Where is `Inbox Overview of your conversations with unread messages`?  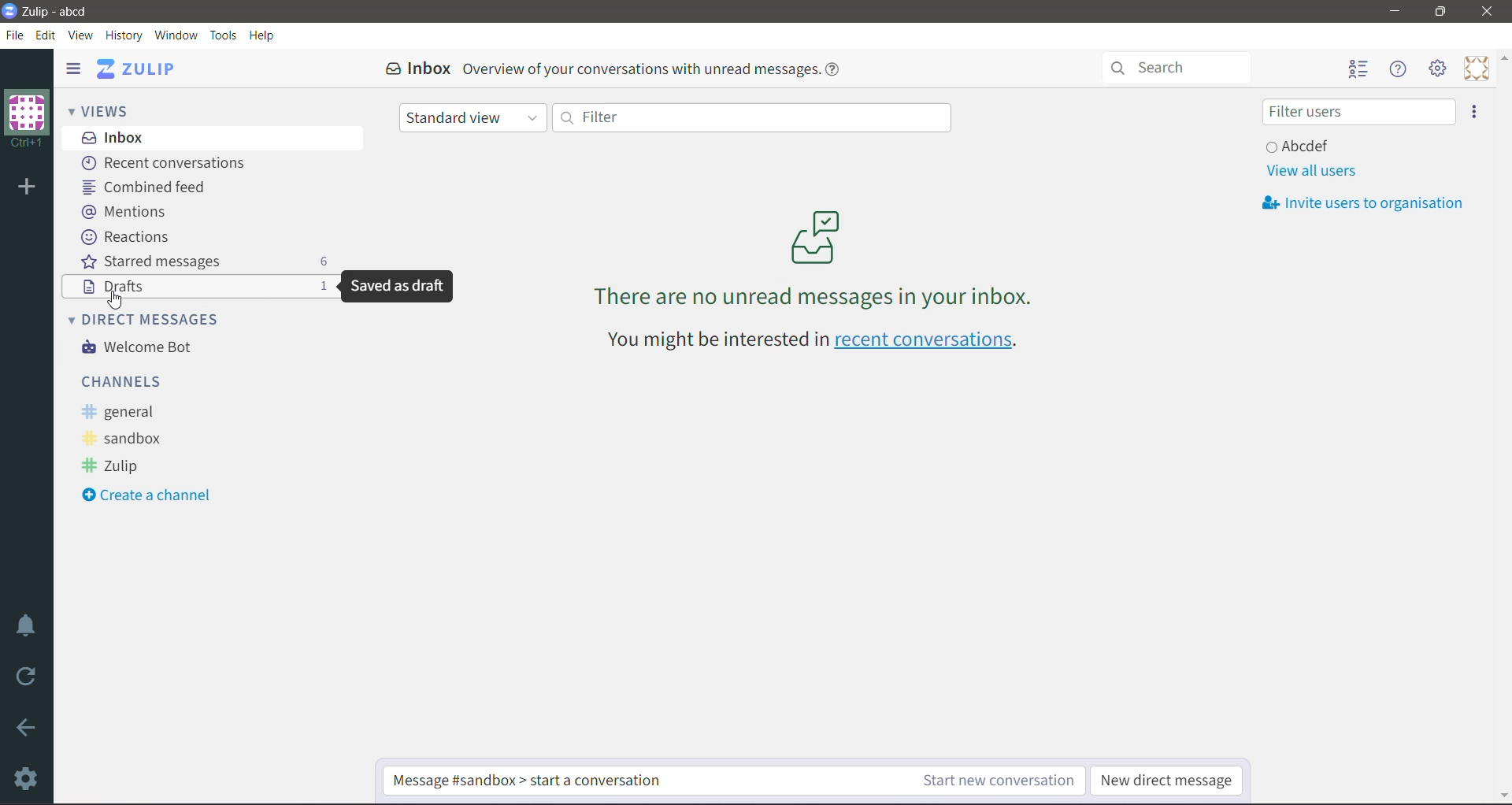 Inbox Overview of your conversations with unread messages is located at coordinates (618, 69).